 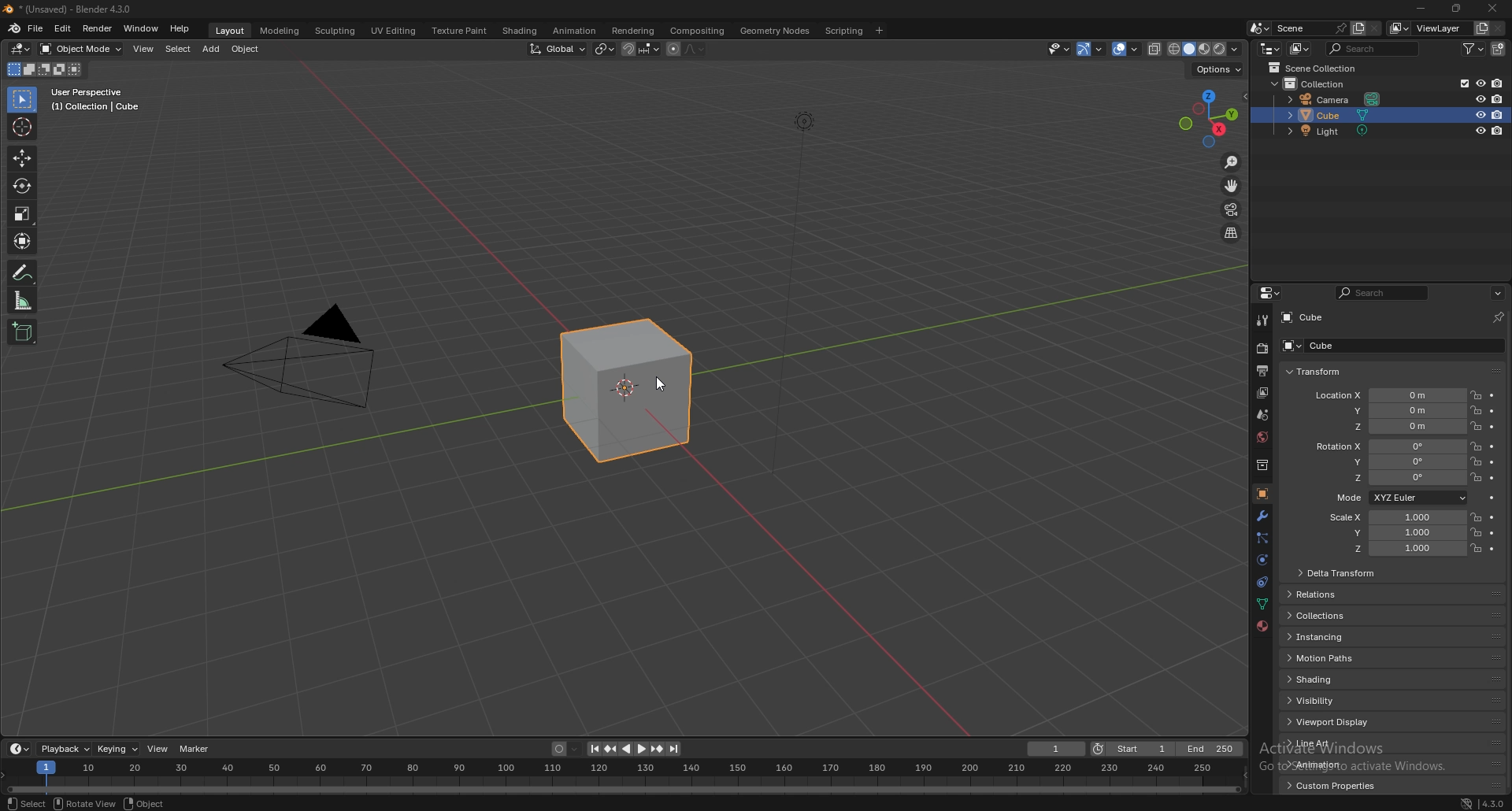 What do you see at coordinates (1498, 317) in the screenshot?
I see `toggle pin id` at bounding box center [1498, 317].